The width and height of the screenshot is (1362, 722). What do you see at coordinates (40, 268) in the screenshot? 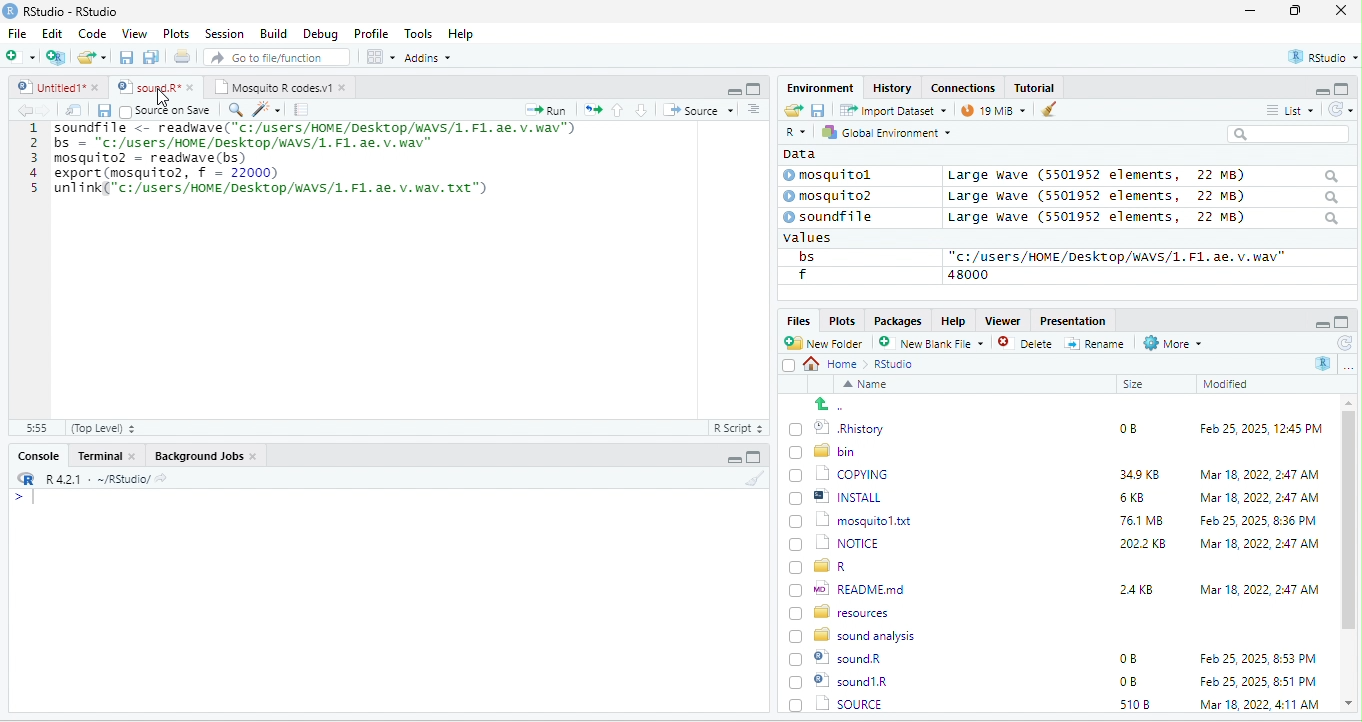
I see `line number` at bounding box center [40, 268].